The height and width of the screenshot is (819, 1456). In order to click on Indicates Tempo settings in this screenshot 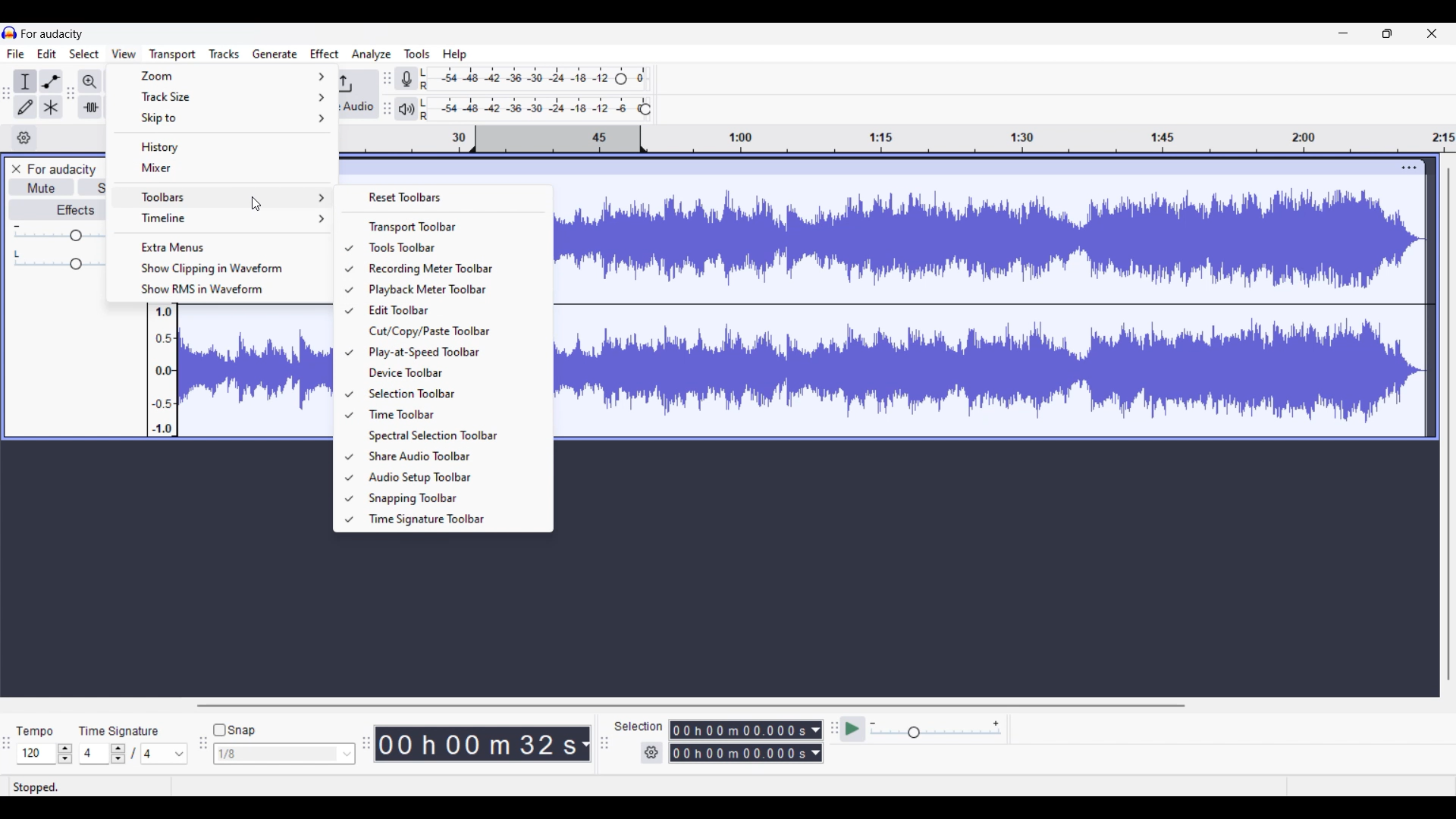, I will do `click(34, 732)`.